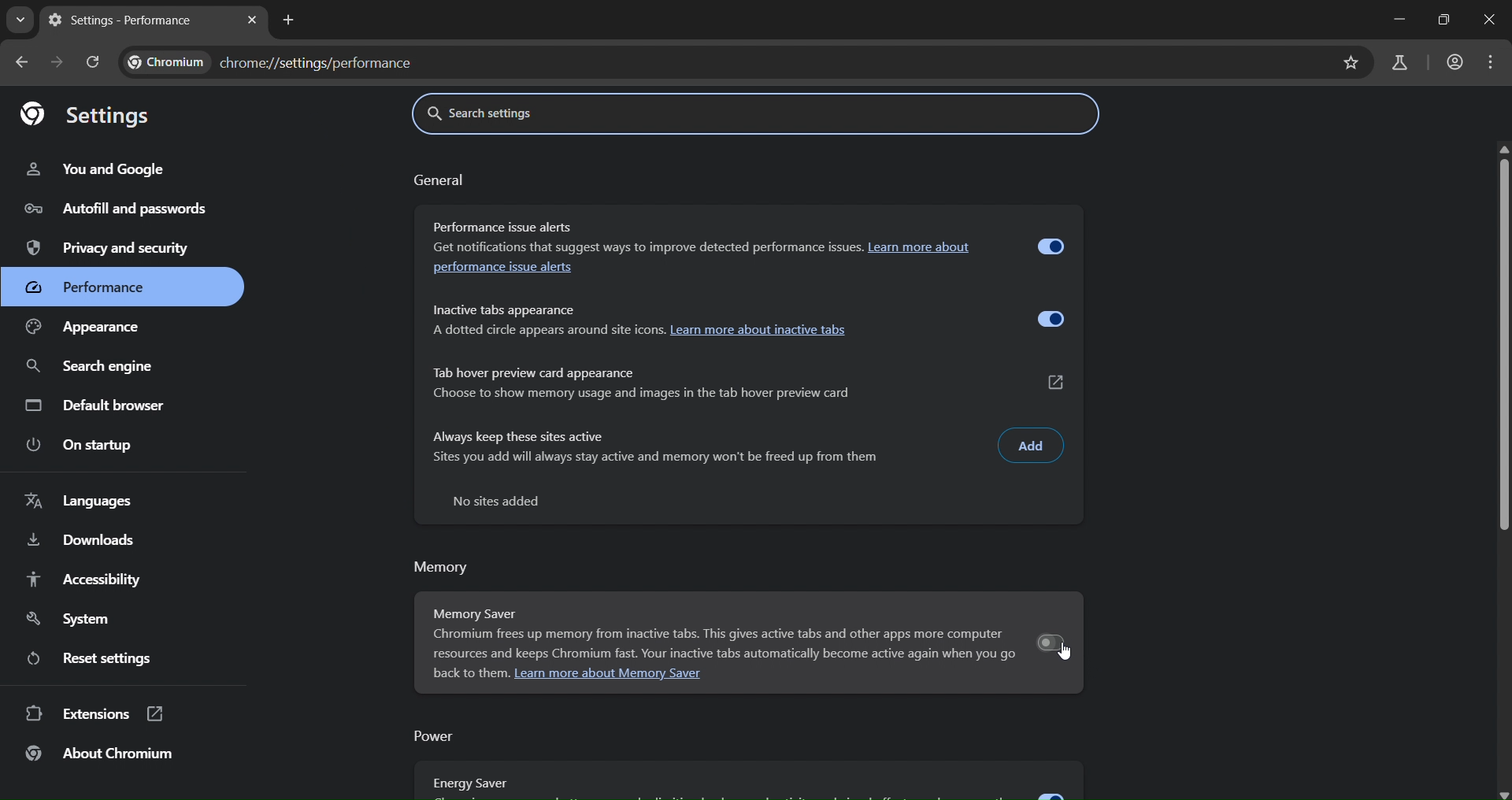 The image size is (1512, 800). Describe the element at coordinates (291, 20) in the screenshot. I see `new tab` at that location.